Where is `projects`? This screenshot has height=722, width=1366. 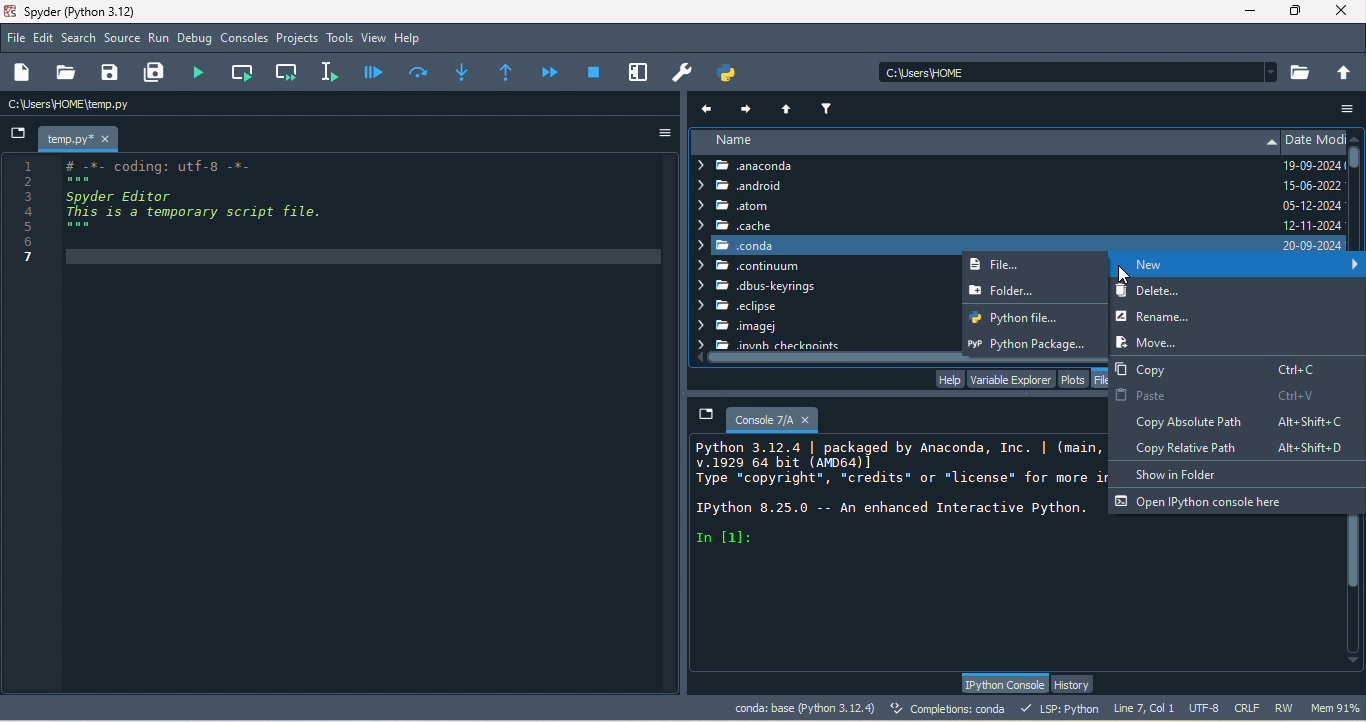 projects is located at coordinates (298, 39).